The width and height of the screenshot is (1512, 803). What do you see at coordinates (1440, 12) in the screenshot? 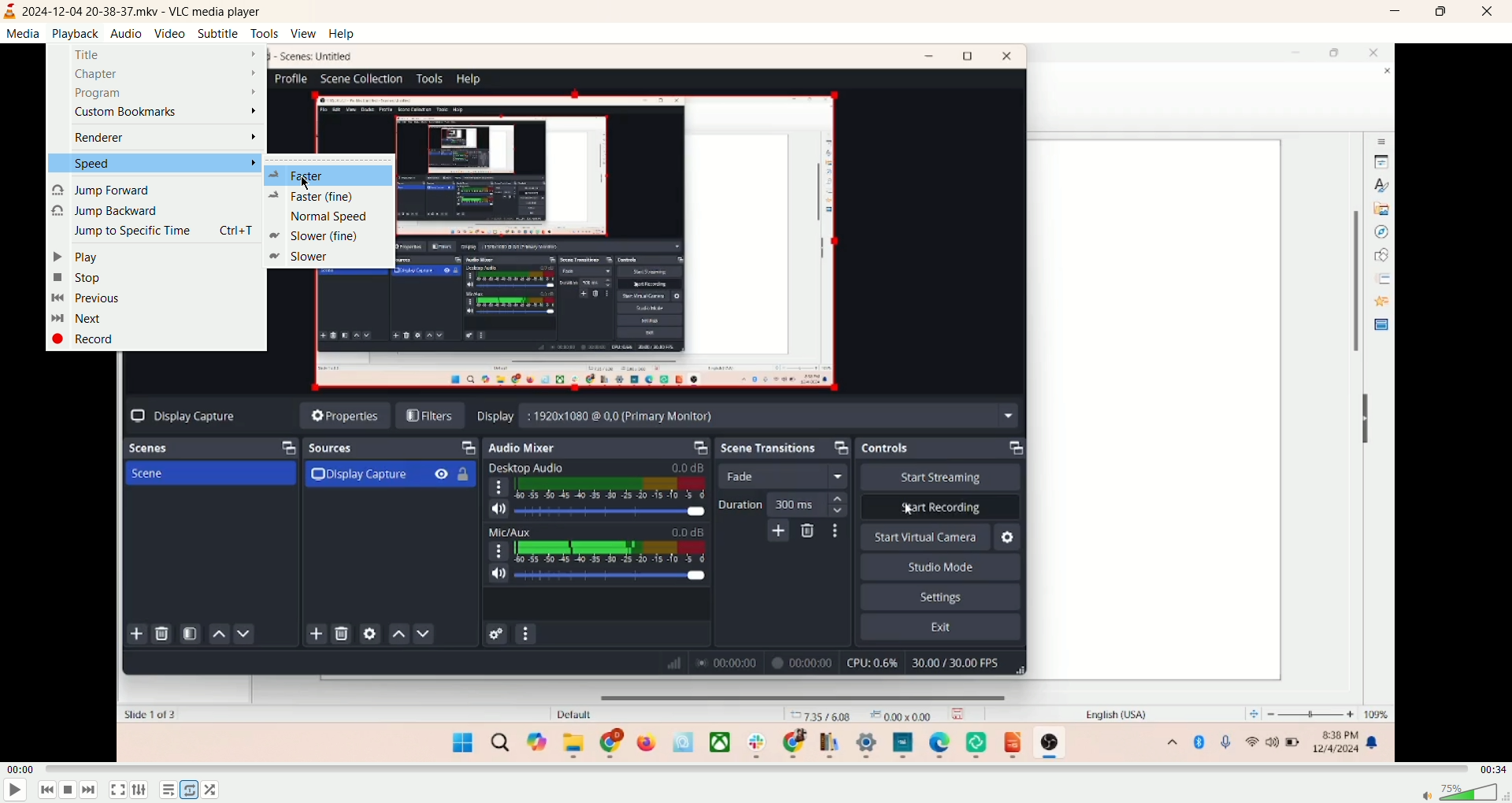
I see `maximize` at bounding box center [1440, 12].